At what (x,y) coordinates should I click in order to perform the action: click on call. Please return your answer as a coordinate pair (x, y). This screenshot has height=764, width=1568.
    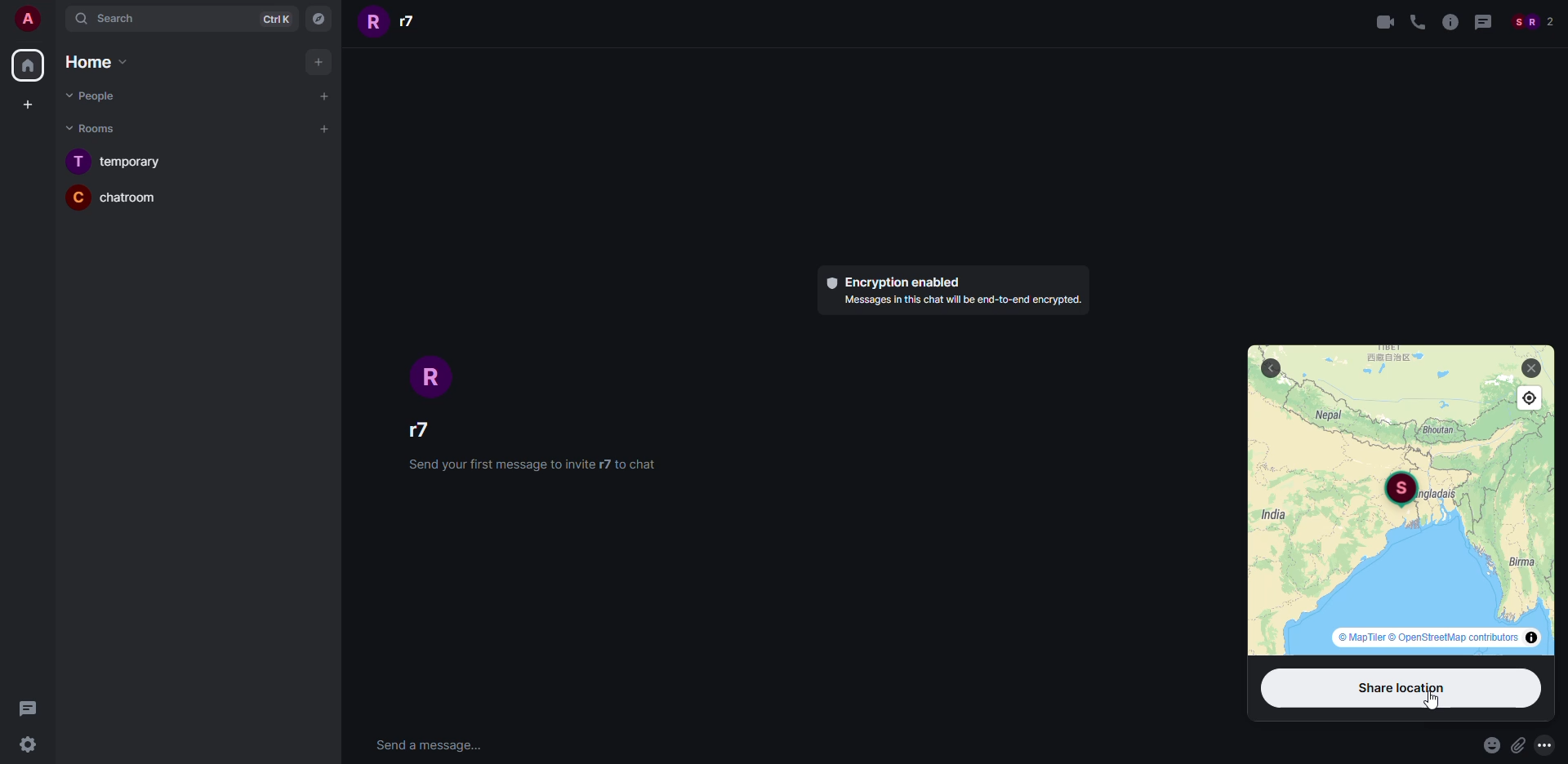
    Looking at the image, I should click on (1417, 23).